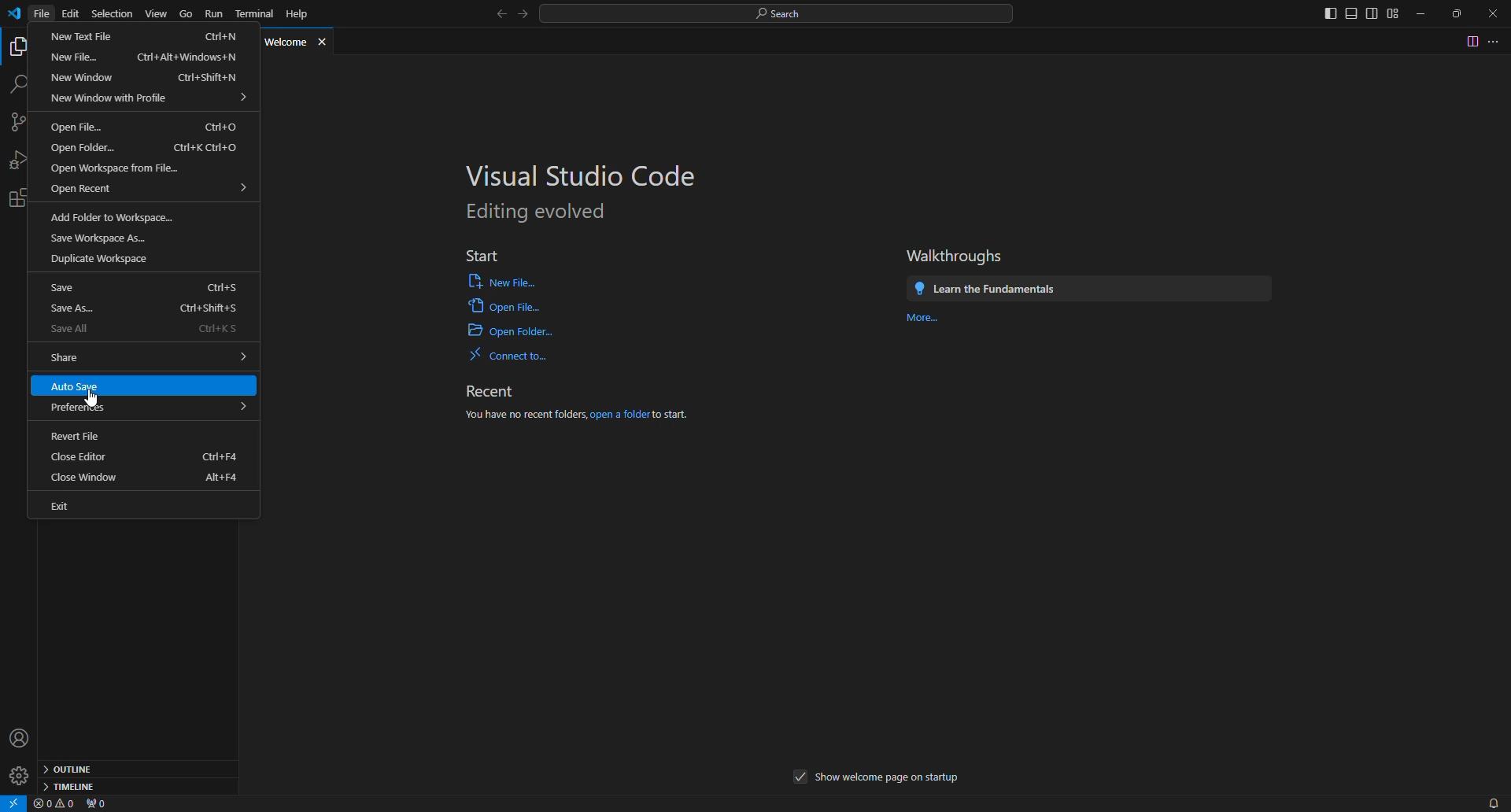 The image size is (1511, 812). Describe the element at coordinates (503, 305) in the screenshot. I see `open file` at that location.